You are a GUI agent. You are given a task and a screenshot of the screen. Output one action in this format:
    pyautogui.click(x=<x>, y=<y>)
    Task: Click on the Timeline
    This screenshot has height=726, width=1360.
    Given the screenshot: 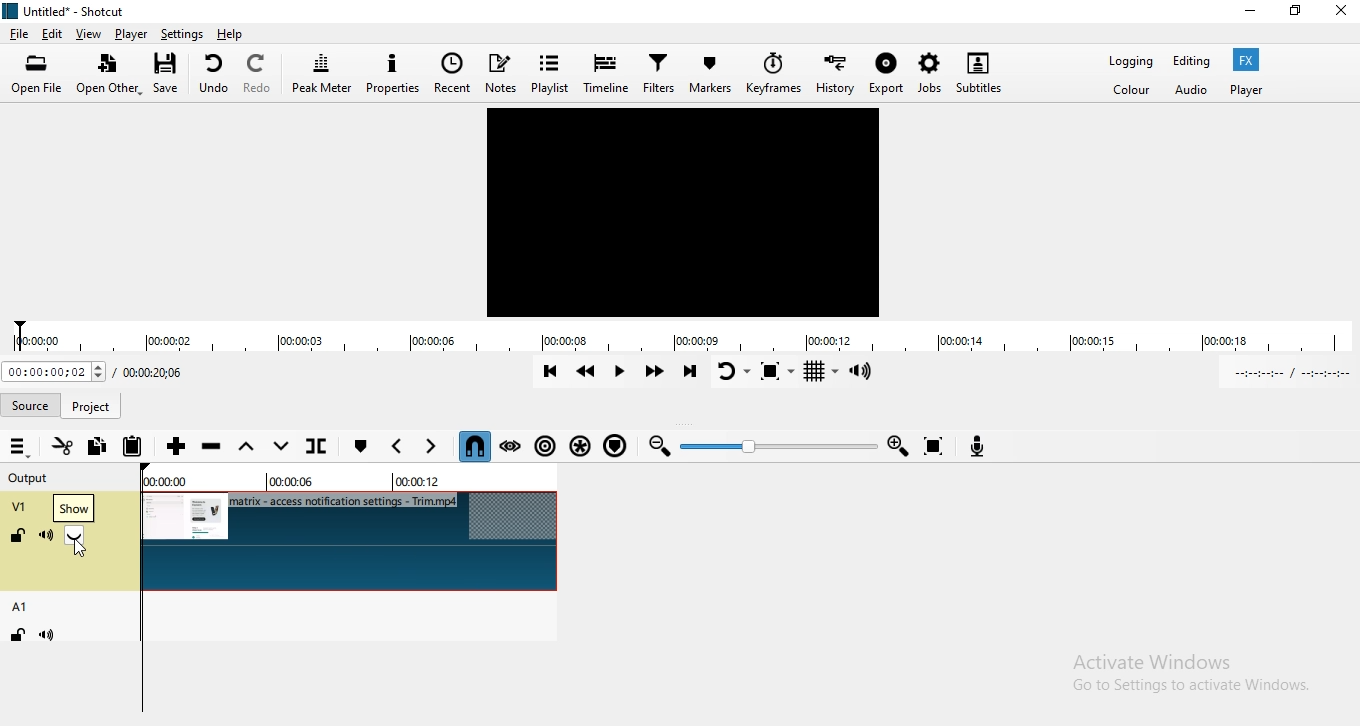 What is the action you would take?
    pyautogui.click(x=608, y=72)
    